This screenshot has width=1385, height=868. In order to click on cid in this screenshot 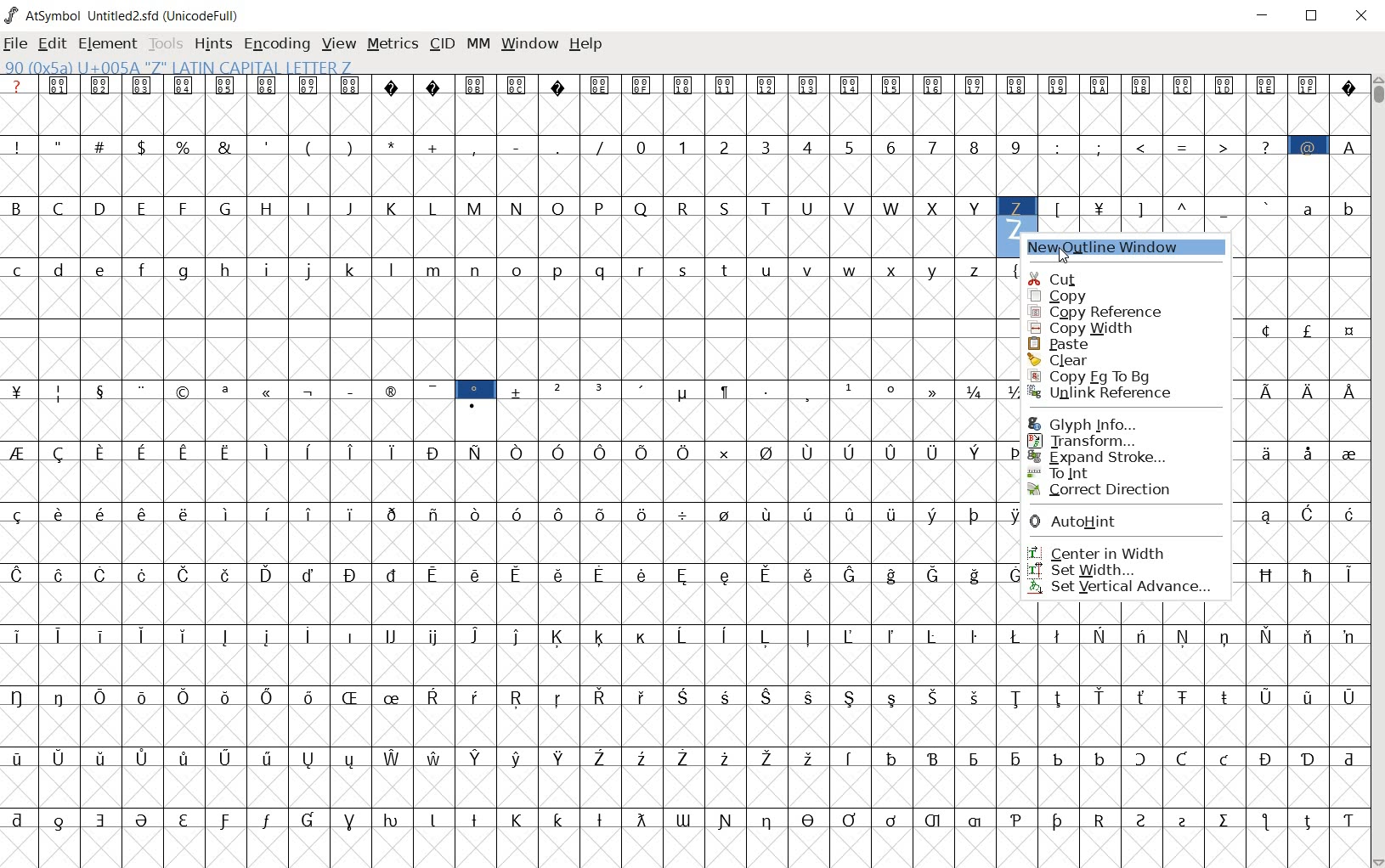, I will do `click(442, 43)`.